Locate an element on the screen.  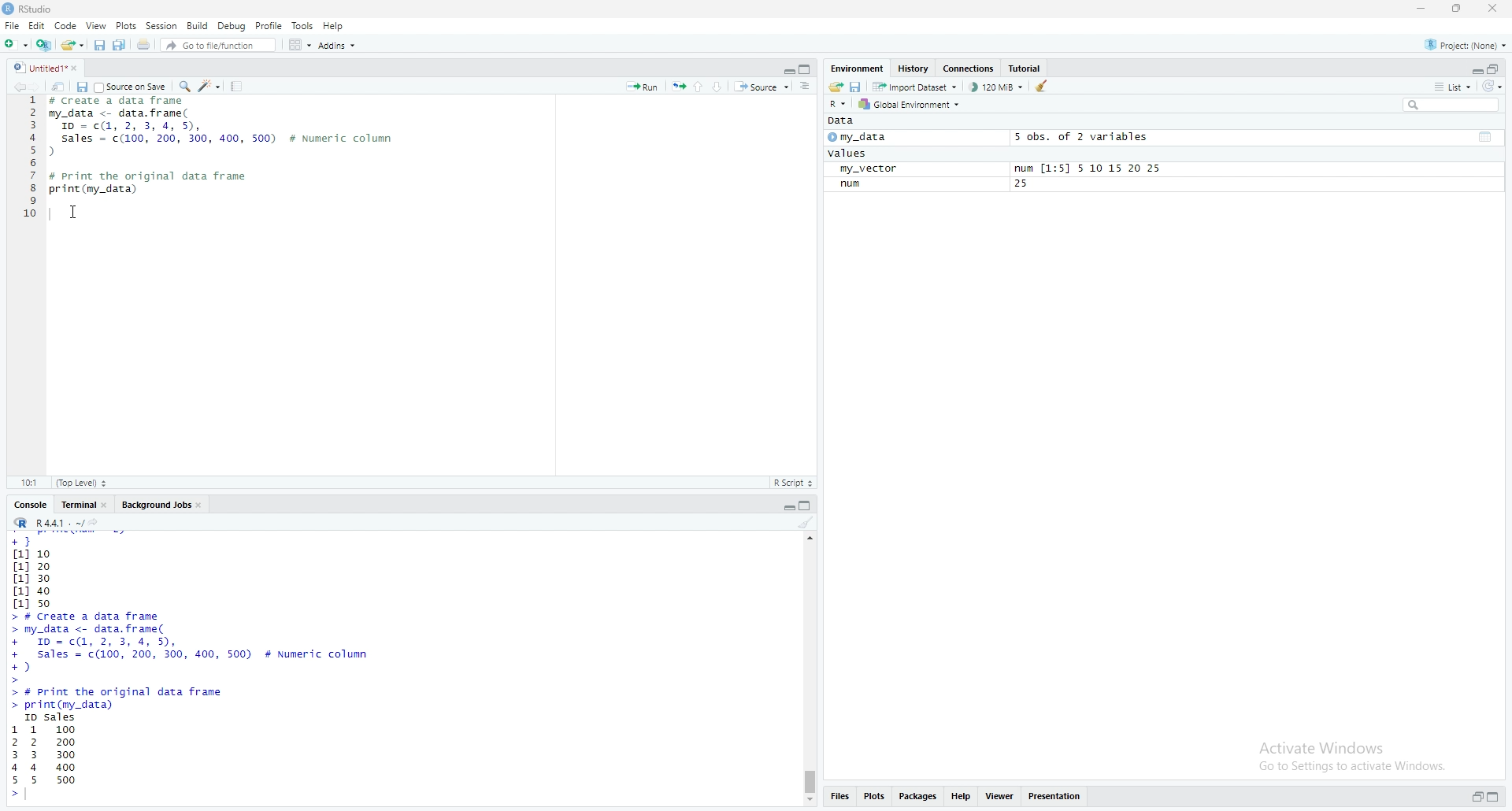
typing cursor is located at coordinates (36, 798).